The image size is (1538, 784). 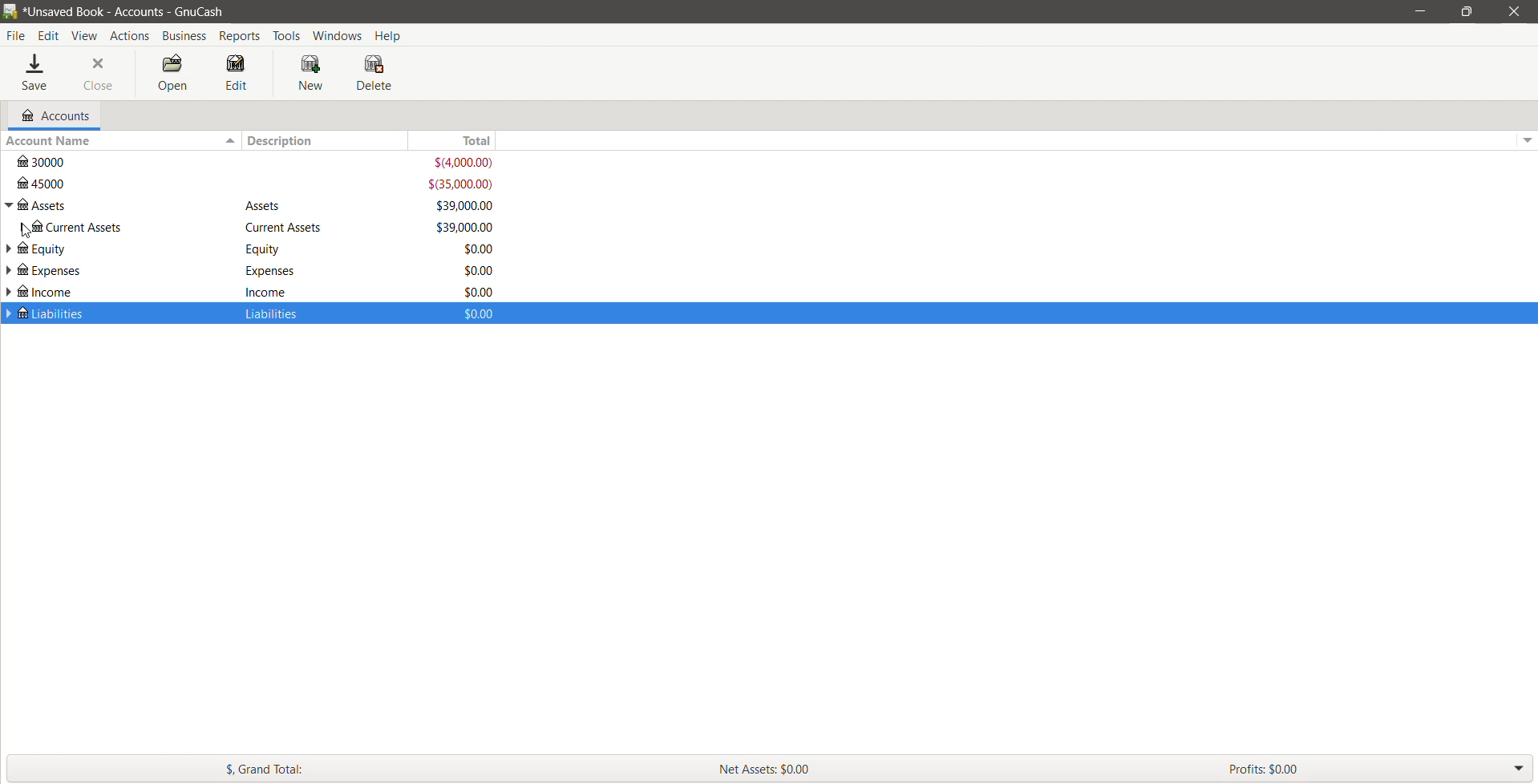 I want to click on Expenses, so click(x=116, y=249).